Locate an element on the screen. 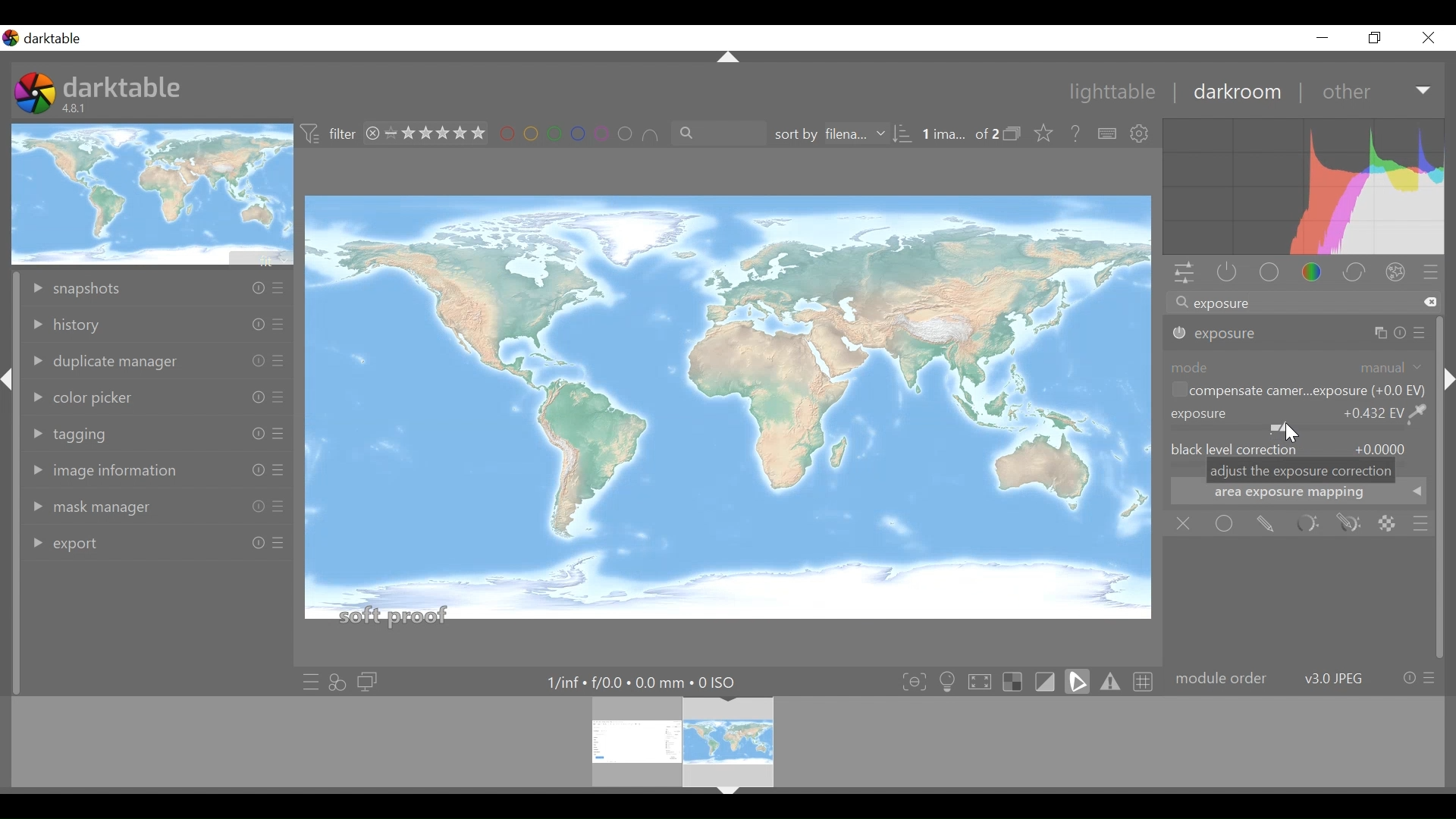 The height and width of the screenshot is (819, 1456).  is located at coordinates (1447, 404).